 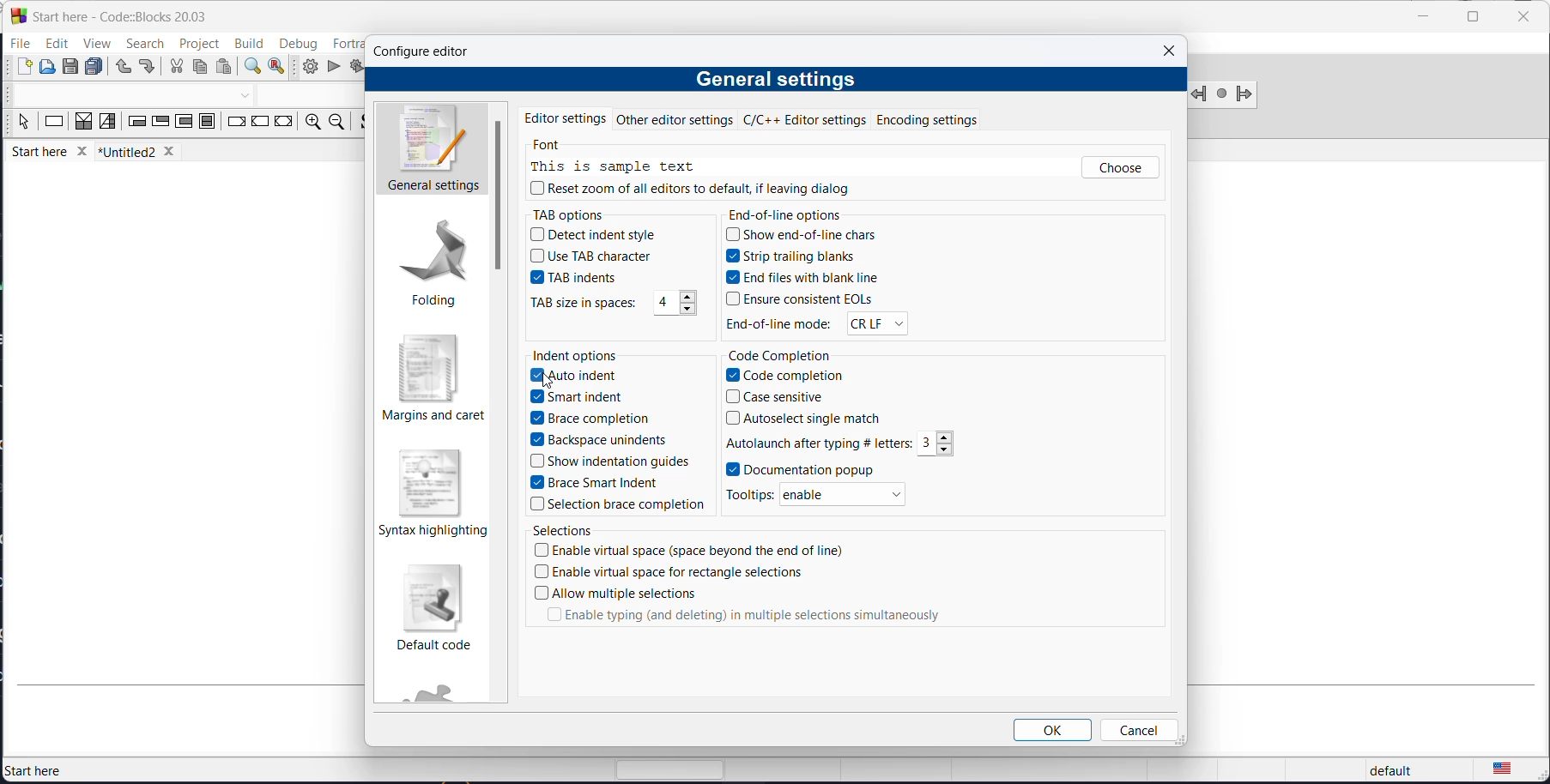 I want to click on settings, so click(x=499, y=196).